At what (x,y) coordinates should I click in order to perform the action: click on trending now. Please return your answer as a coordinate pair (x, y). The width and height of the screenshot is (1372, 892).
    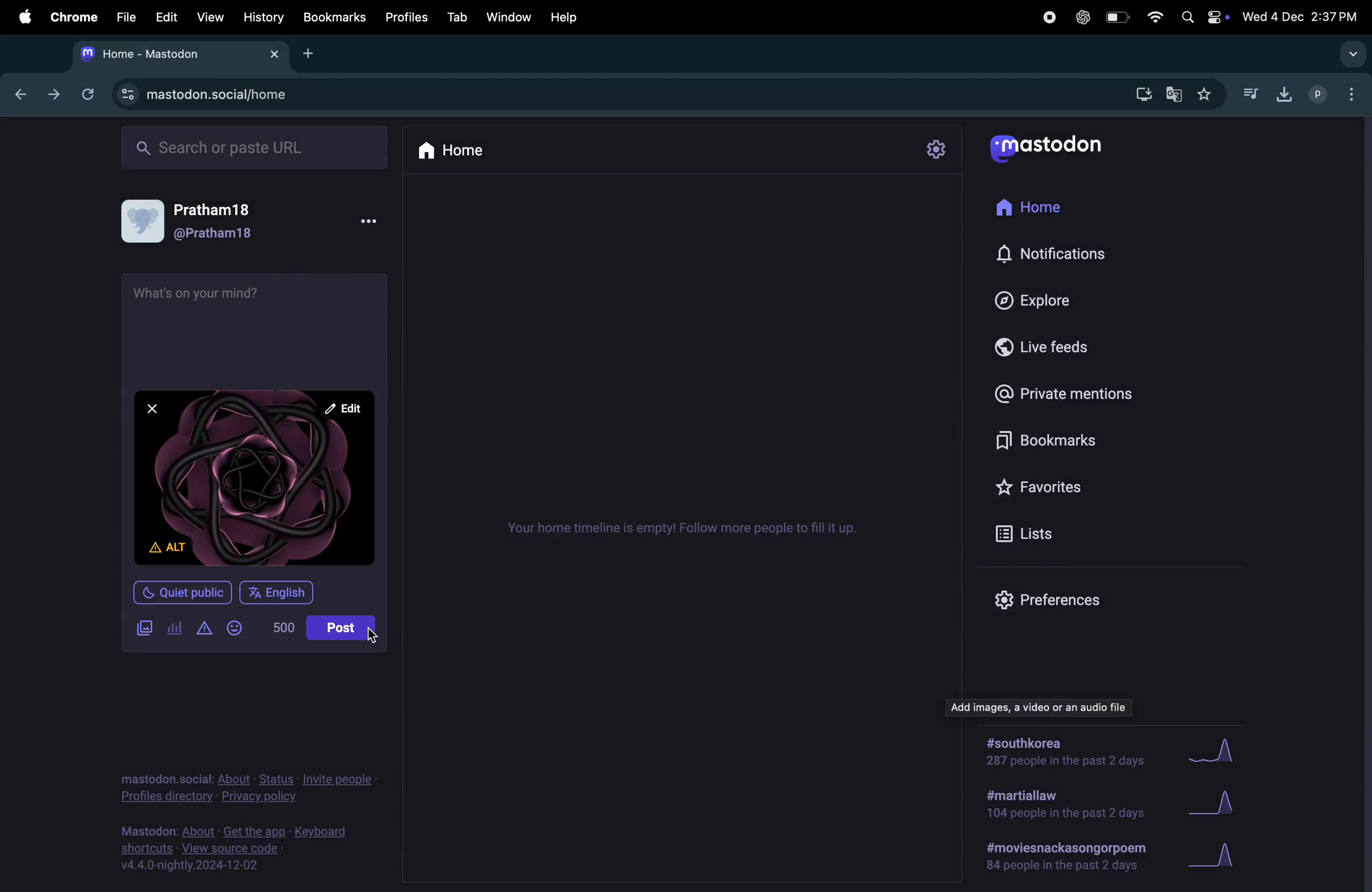
    Looking at the image, I should click on (1042, 705).